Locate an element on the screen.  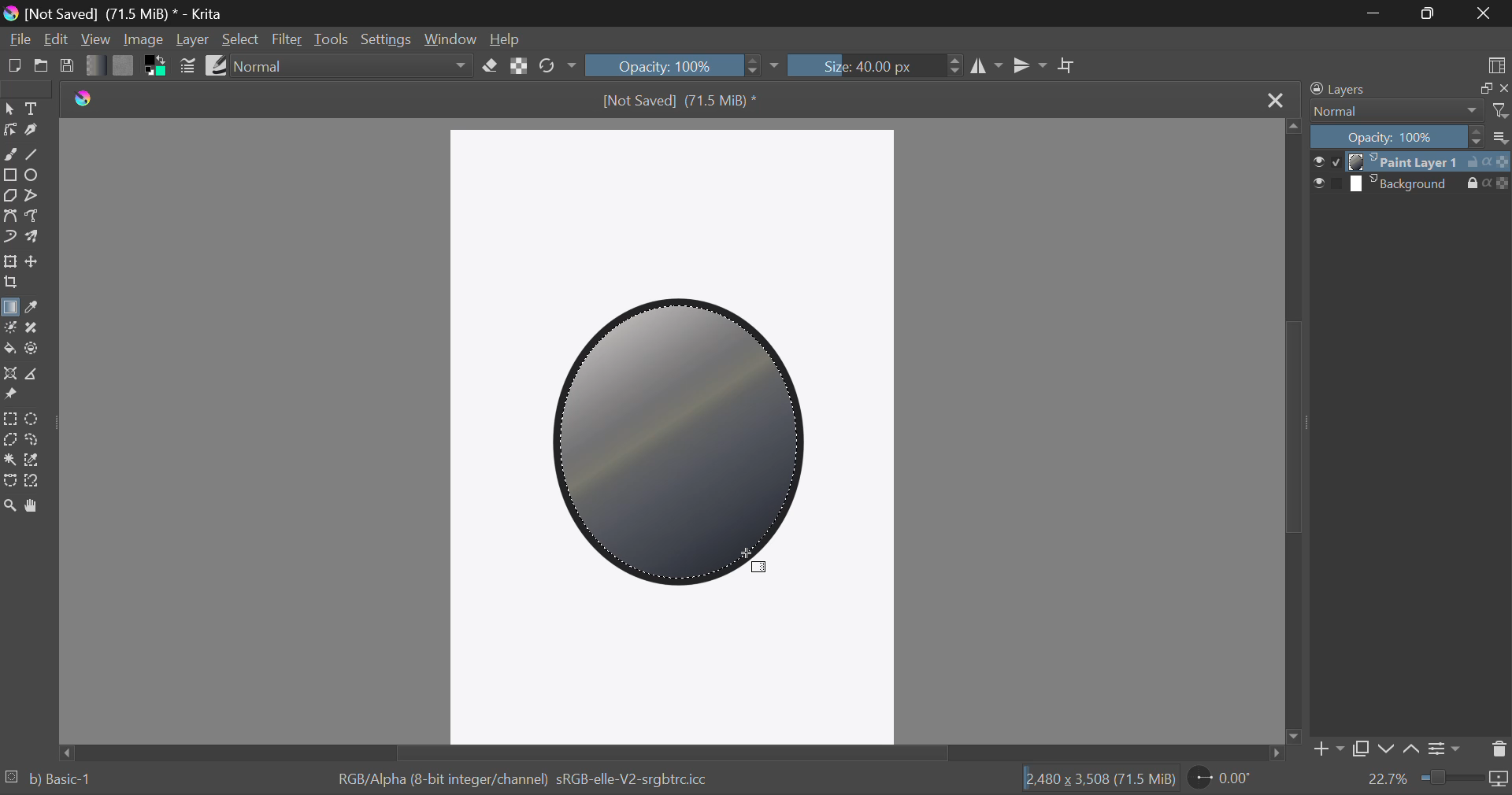
Measurement is located at coordinates (37, 375).